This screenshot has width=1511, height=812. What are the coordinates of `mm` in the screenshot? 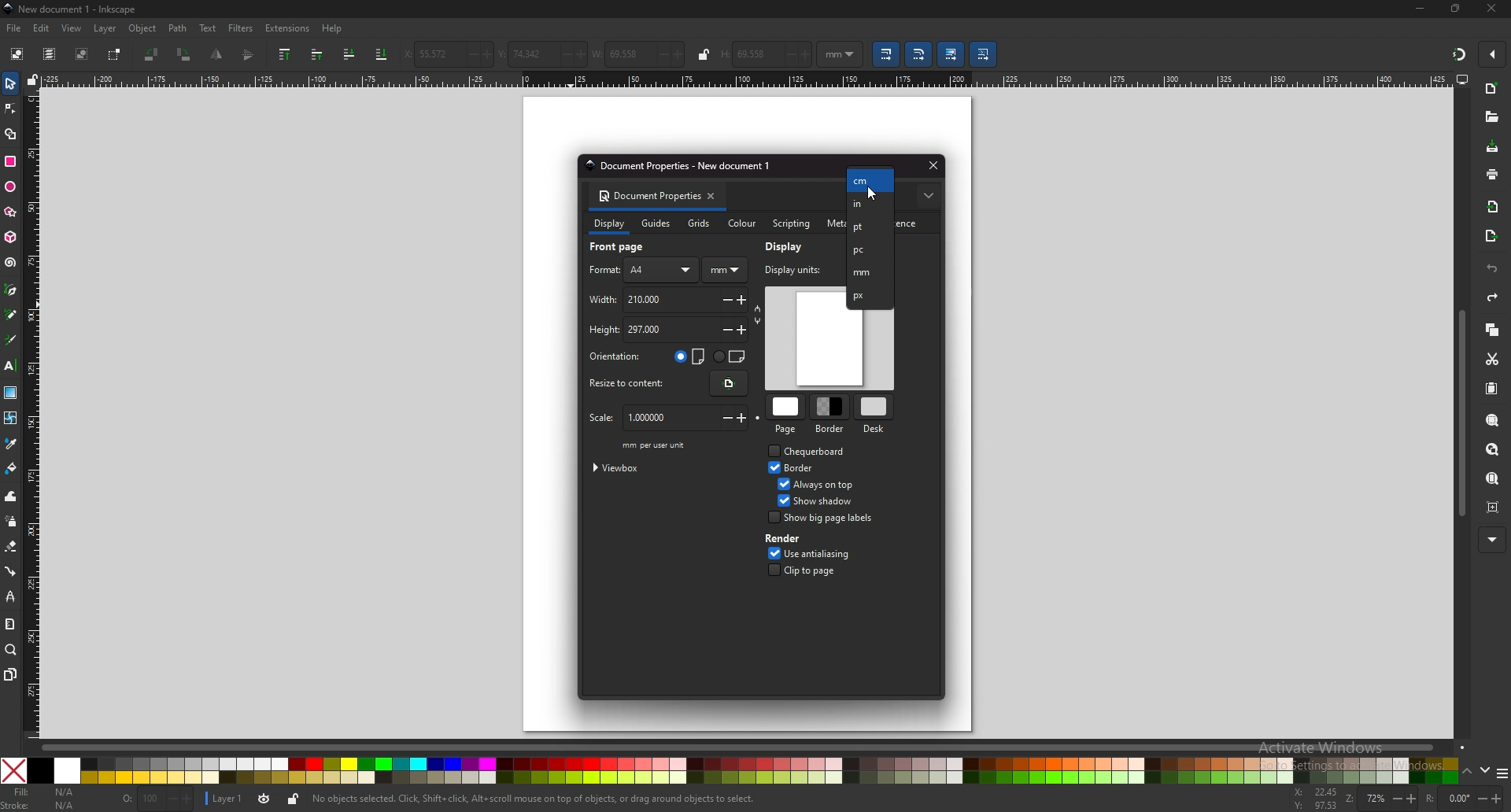 It's located at (725, 271).